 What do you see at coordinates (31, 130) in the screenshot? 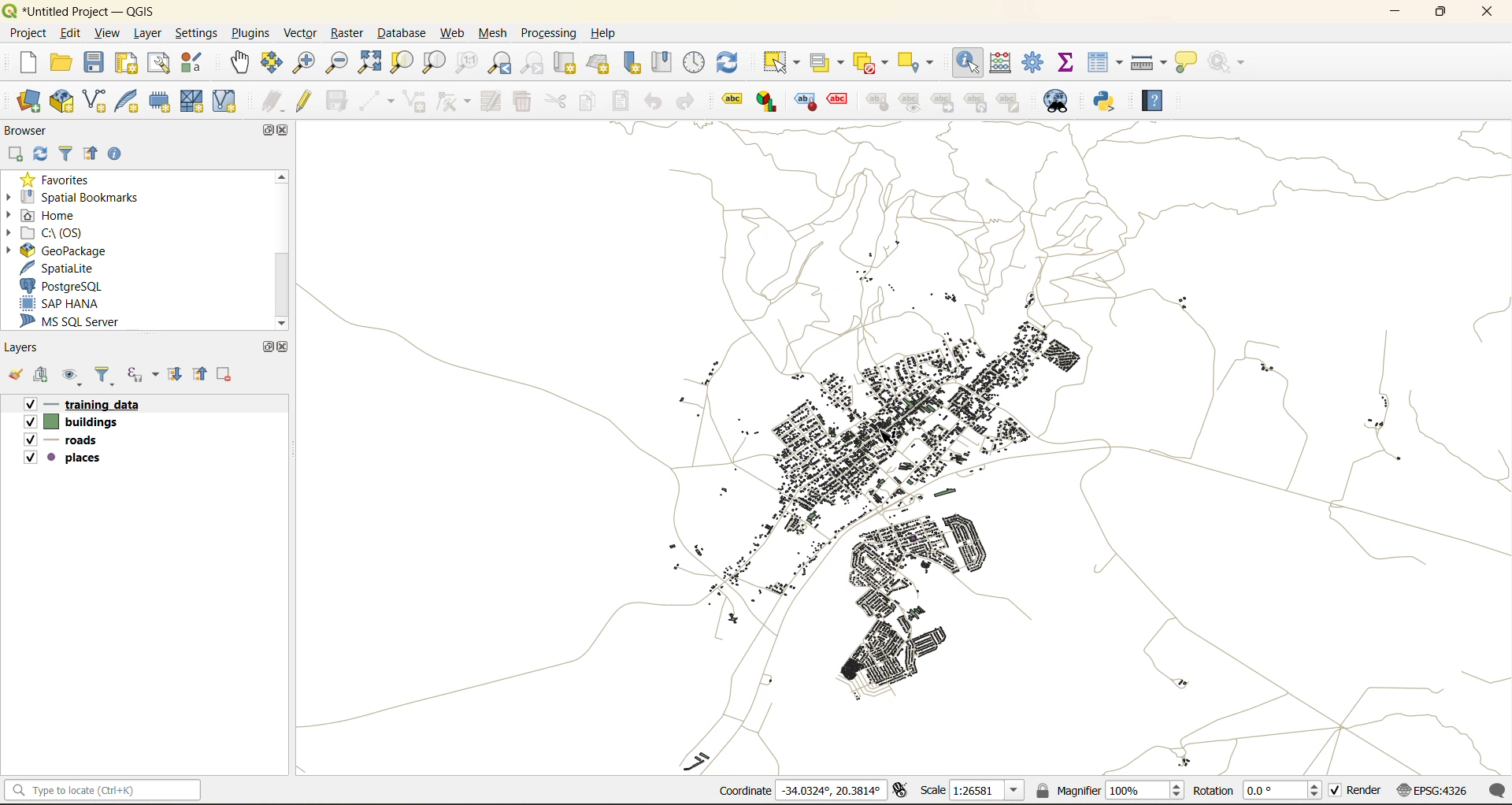
I see `browser` at bounding box center [31, 130].